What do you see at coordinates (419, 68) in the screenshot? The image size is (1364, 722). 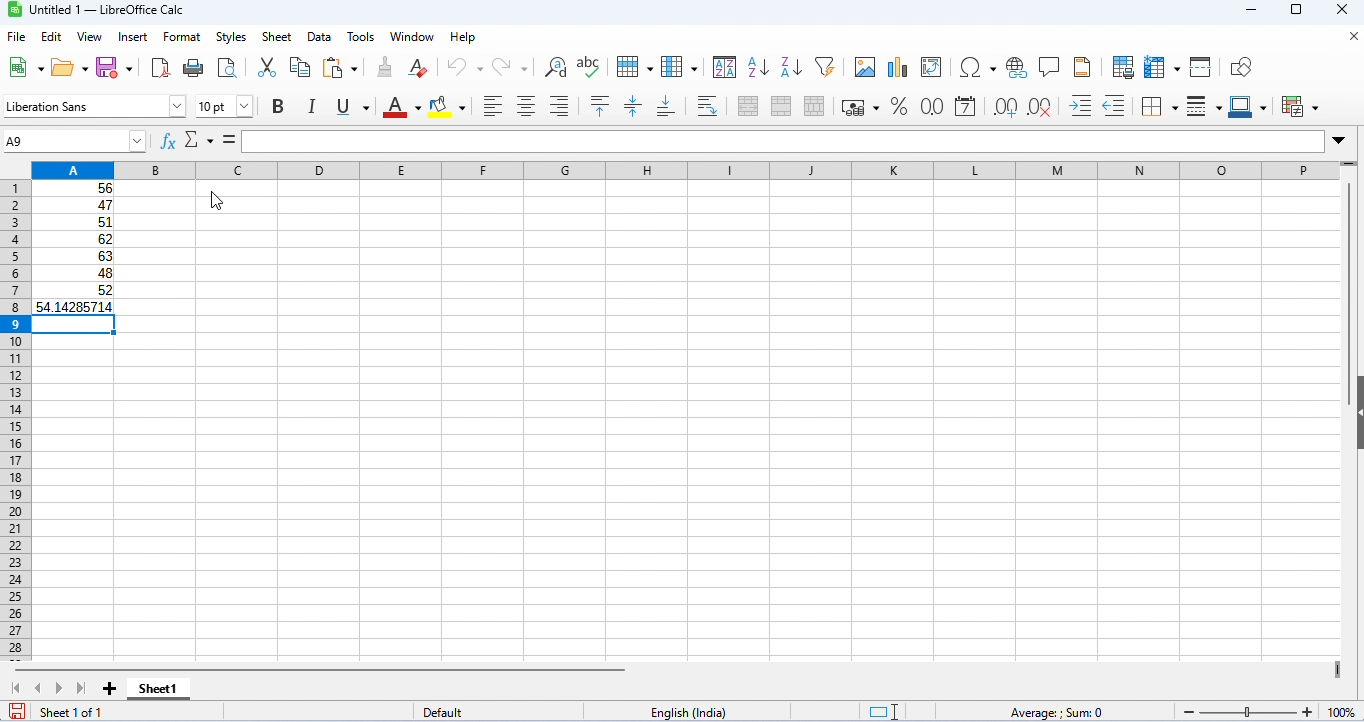 I see `clear direct formatting` at bounding box center [419, 68].